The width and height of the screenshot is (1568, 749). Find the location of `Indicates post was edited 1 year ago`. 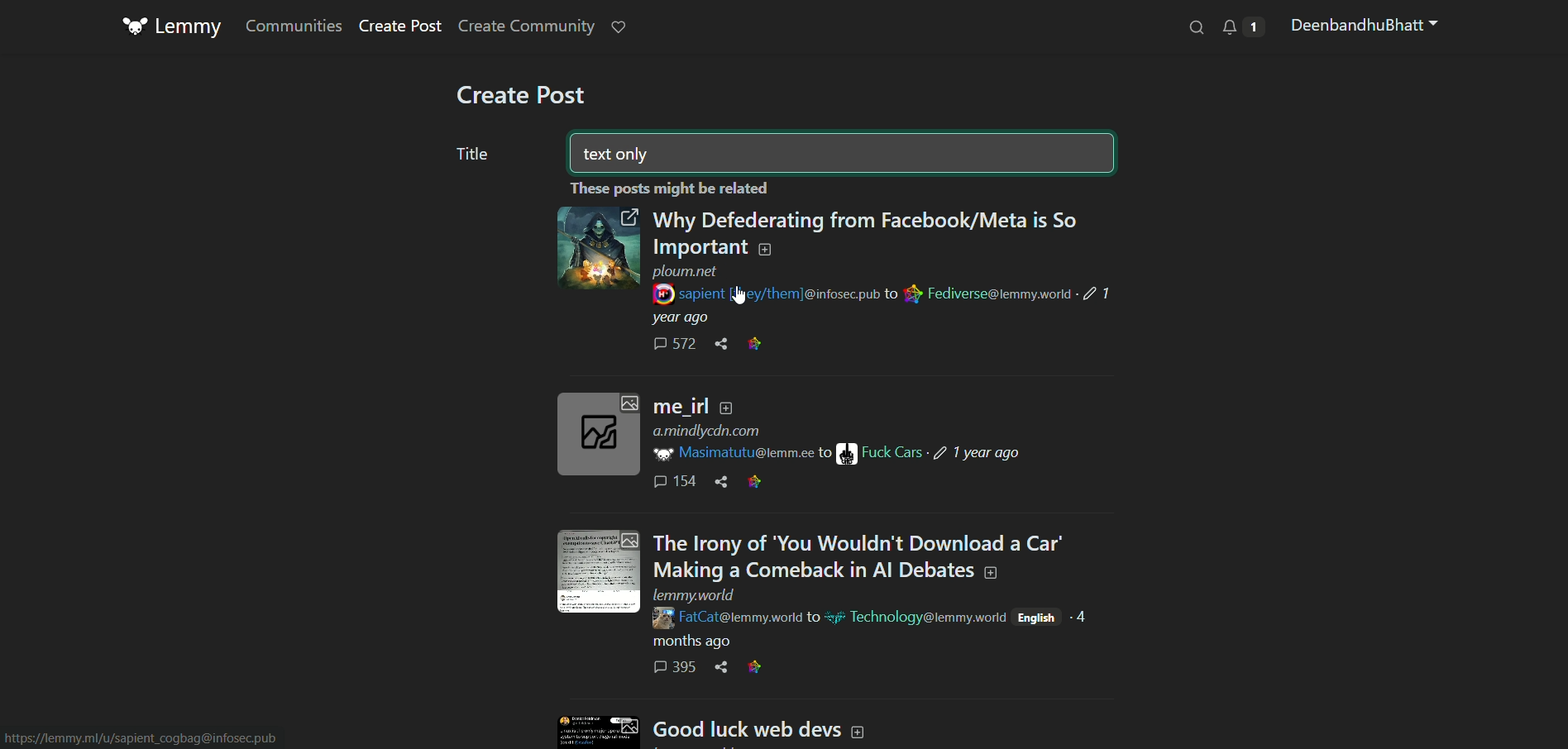

Indicates post was edited 1 year ago is located at coordinates (1096, 293).